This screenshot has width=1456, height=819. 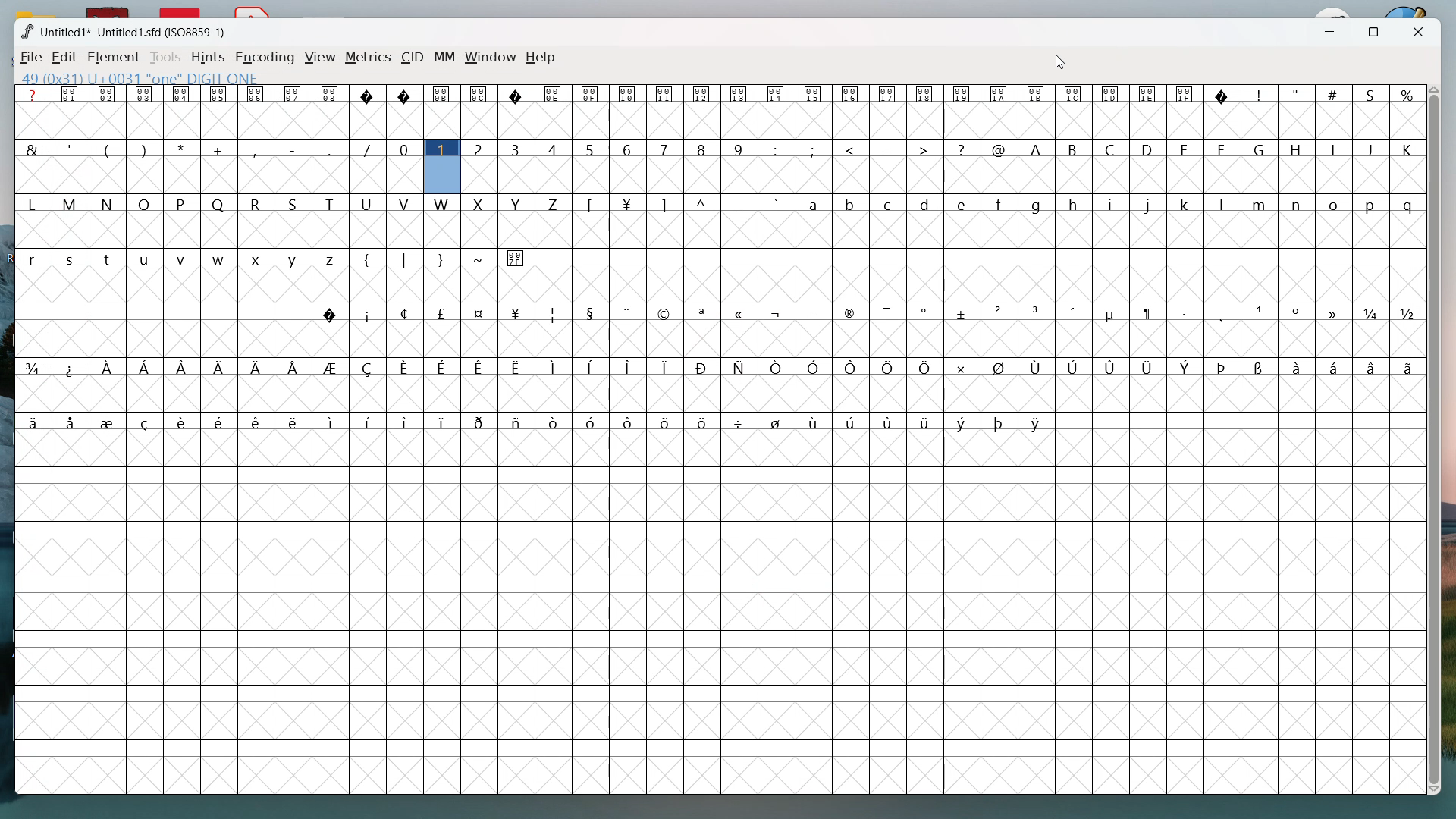 What do you see at coordinates (1039, 312) in the screenshot?
I see `symbol` at bounding box center [1039, 312].